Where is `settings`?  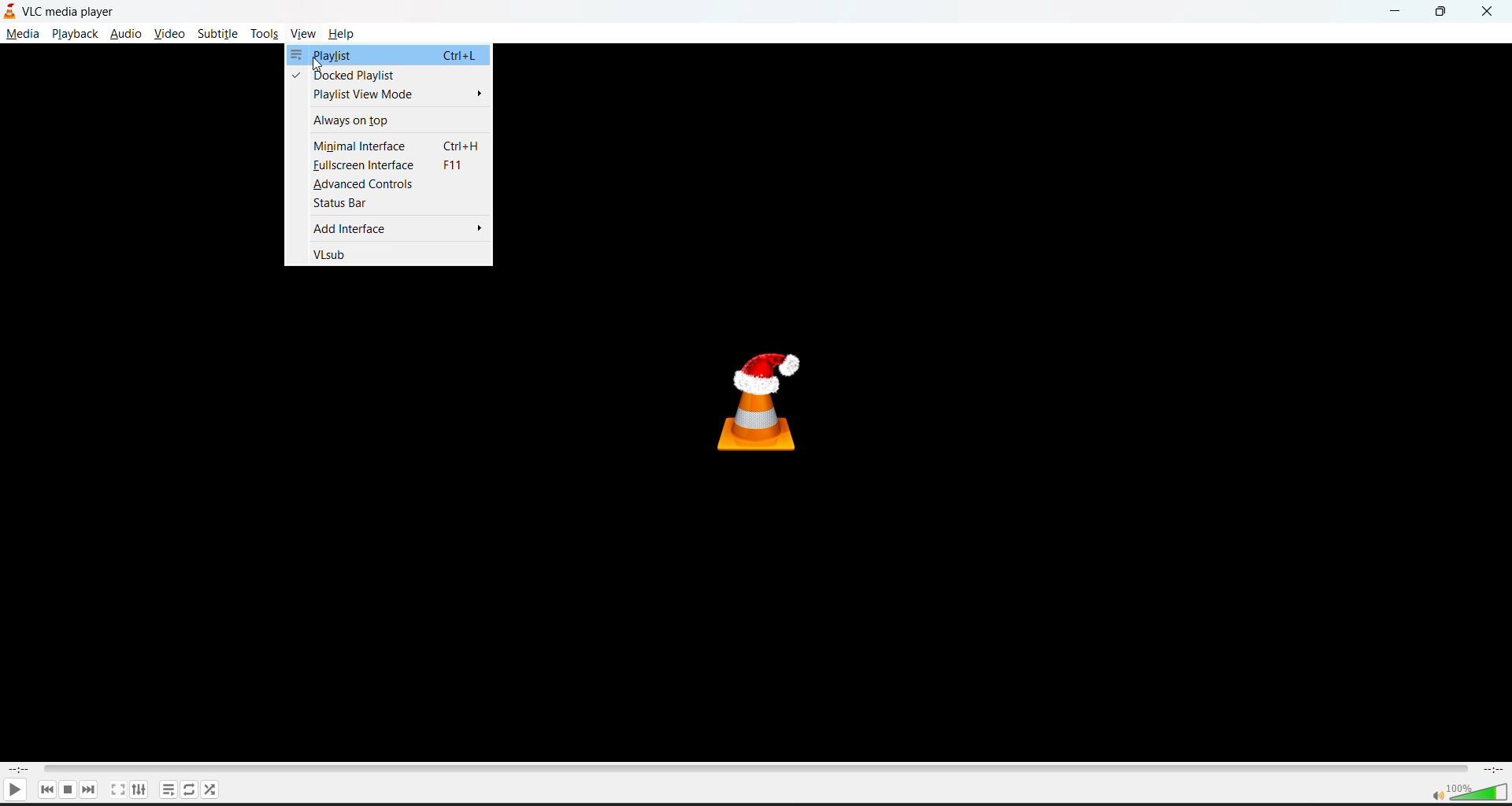
settings is located at coordinates (140, 790).